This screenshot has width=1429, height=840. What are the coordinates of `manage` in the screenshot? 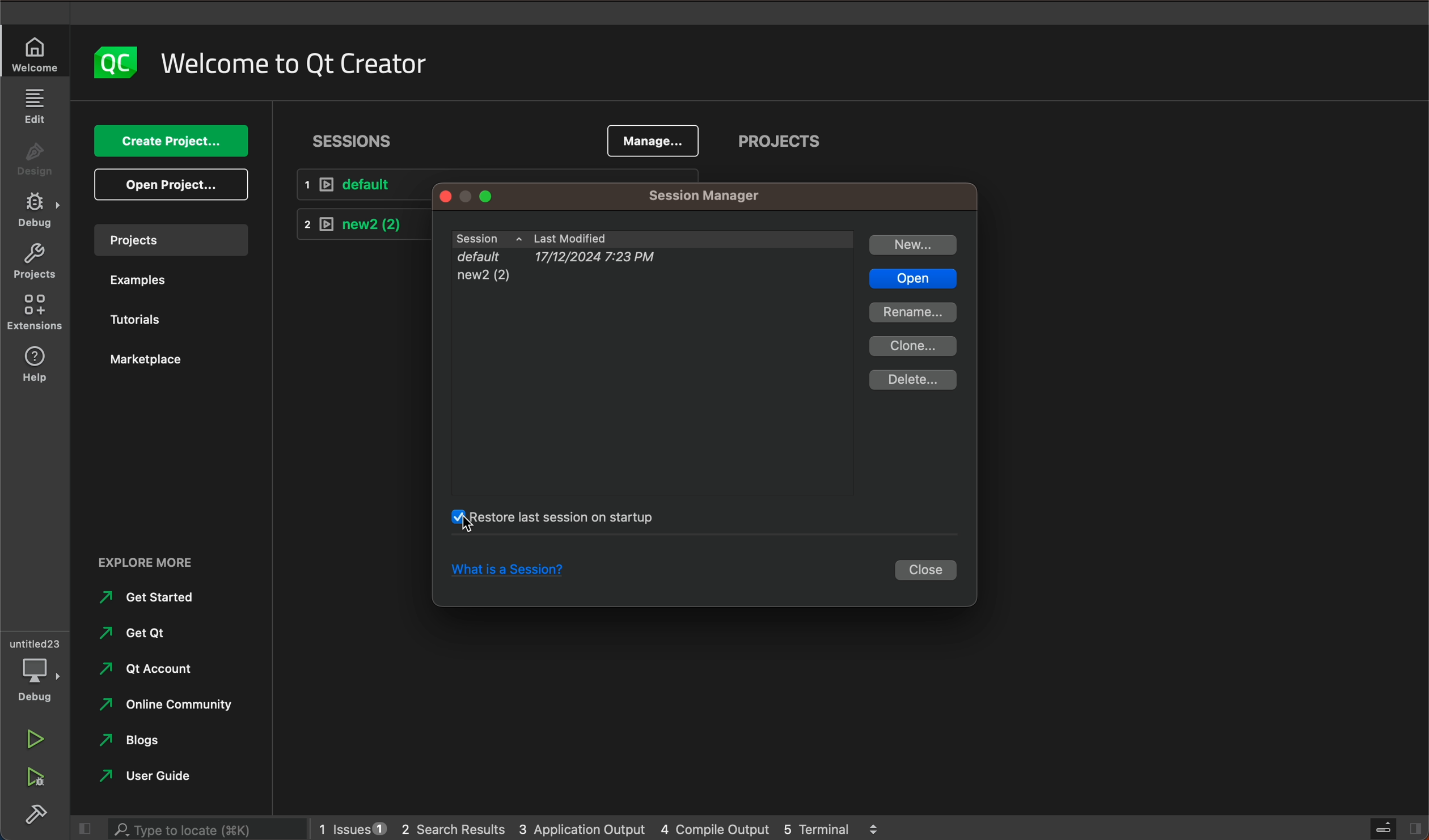 It's located at (653, 141).